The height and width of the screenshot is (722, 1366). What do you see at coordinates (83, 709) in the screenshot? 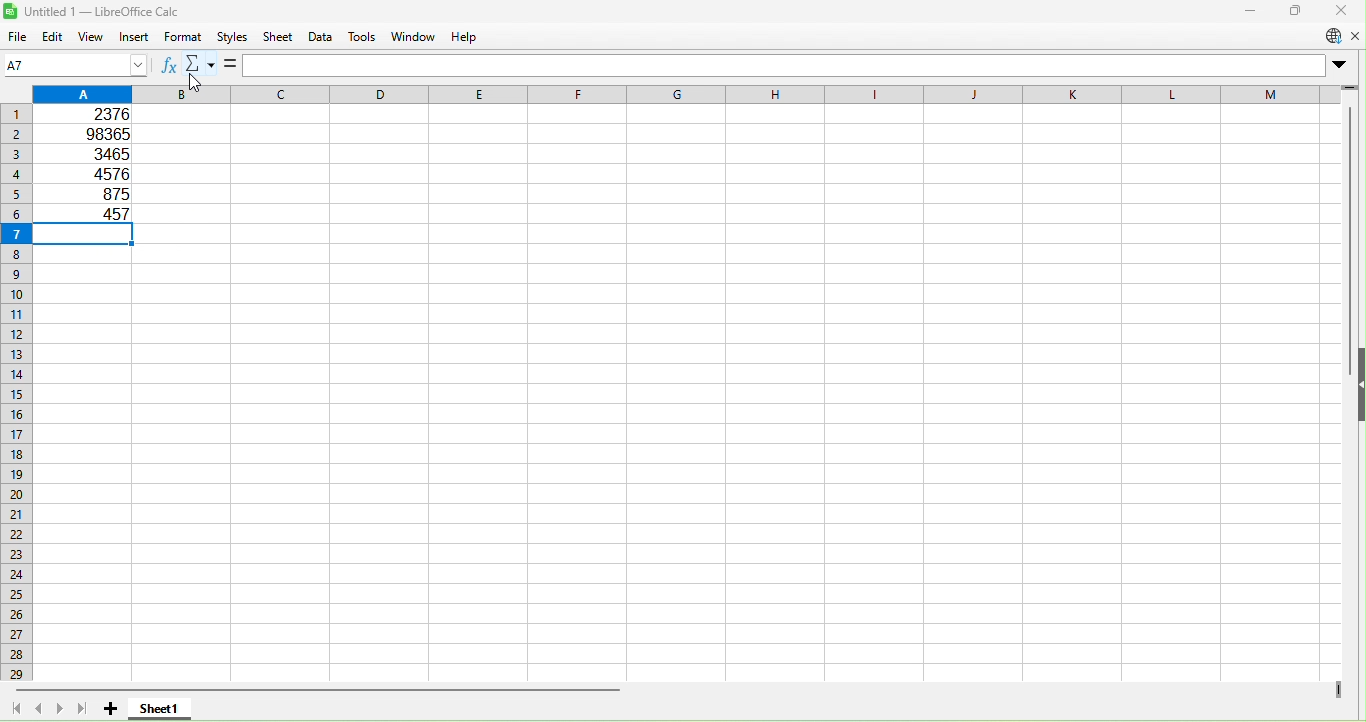
I see `Scroll to last sheet` at bounding box center [83, 709].